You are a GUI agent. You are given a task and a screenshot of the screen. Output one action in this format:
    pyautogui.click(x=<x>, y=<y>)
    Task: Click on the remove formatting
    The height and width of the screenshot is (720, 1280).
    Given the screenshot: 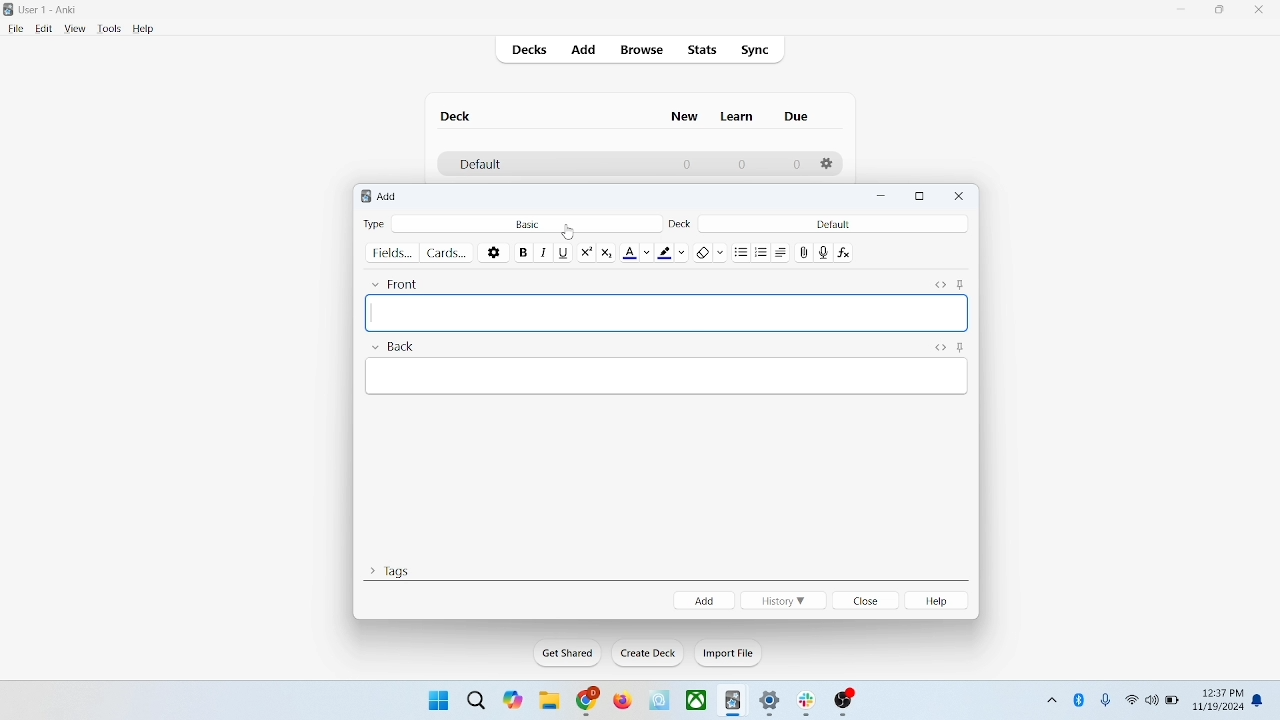 What is the action you would take?
    pyautogui.click(x=711, y=251)
    